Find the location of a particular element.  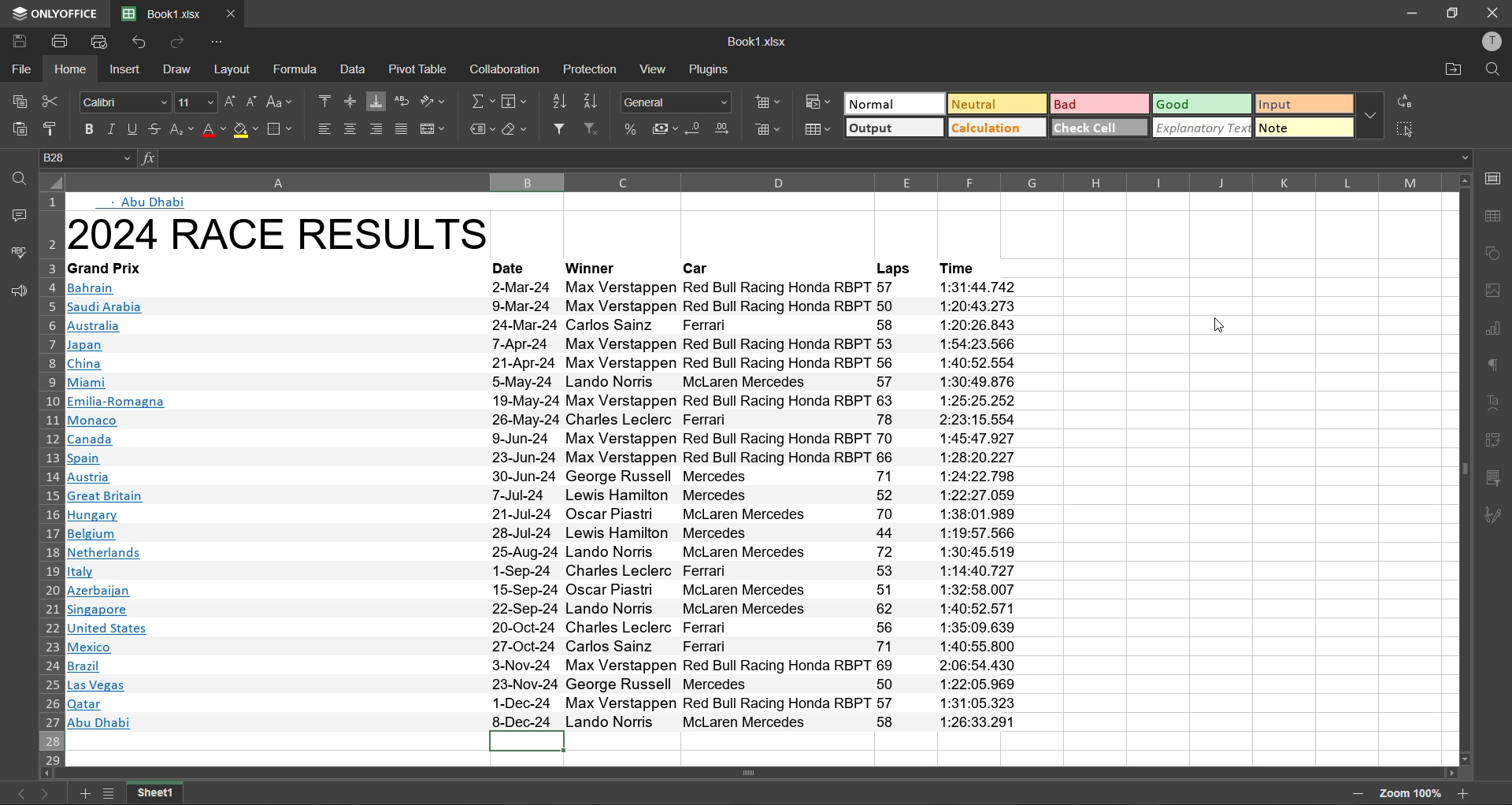

align left is located at coordinates (324, 129).